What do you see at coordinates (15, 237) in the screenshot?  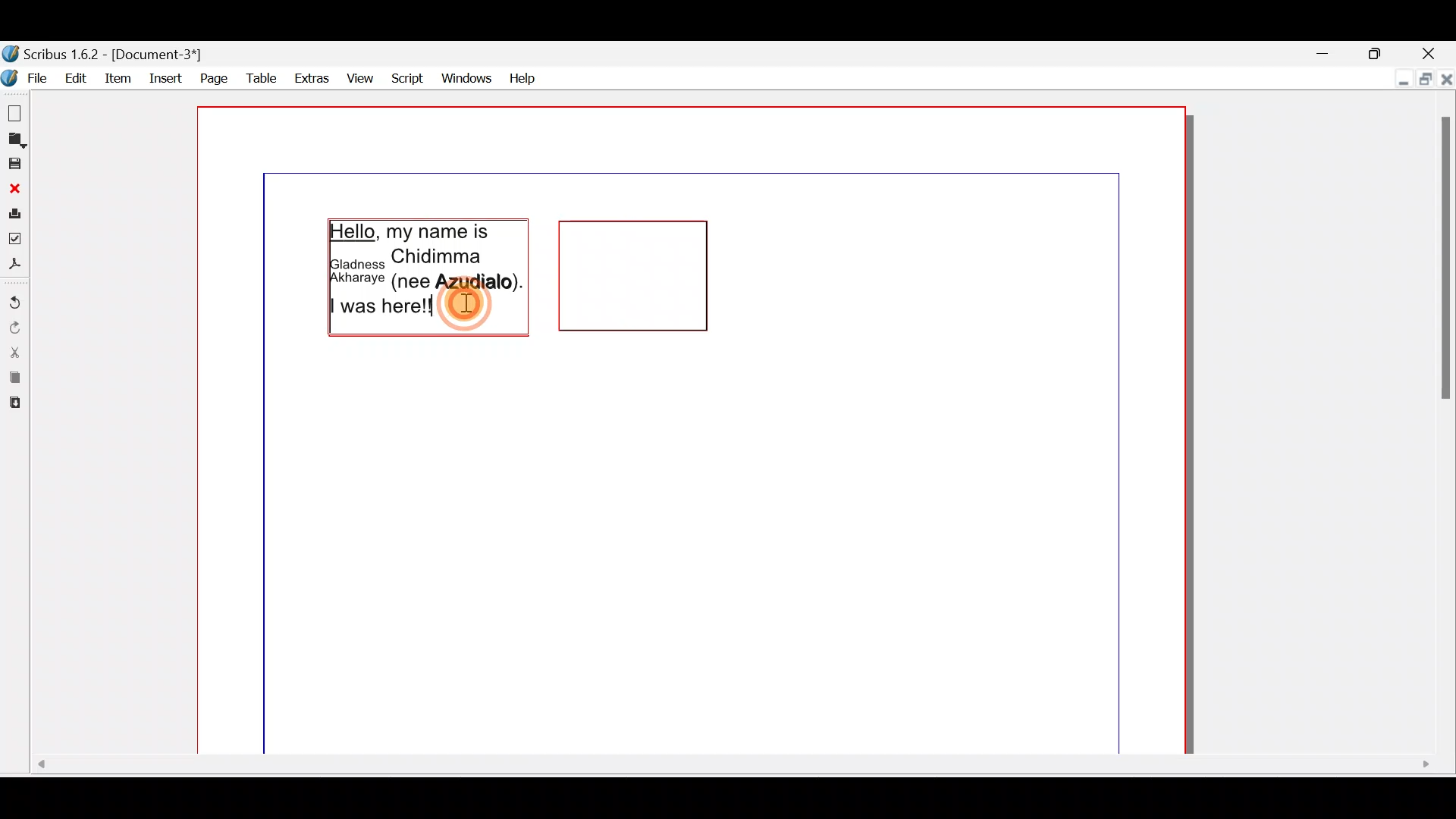 I see `Preflight verifier` at bounding box center [15, 237].